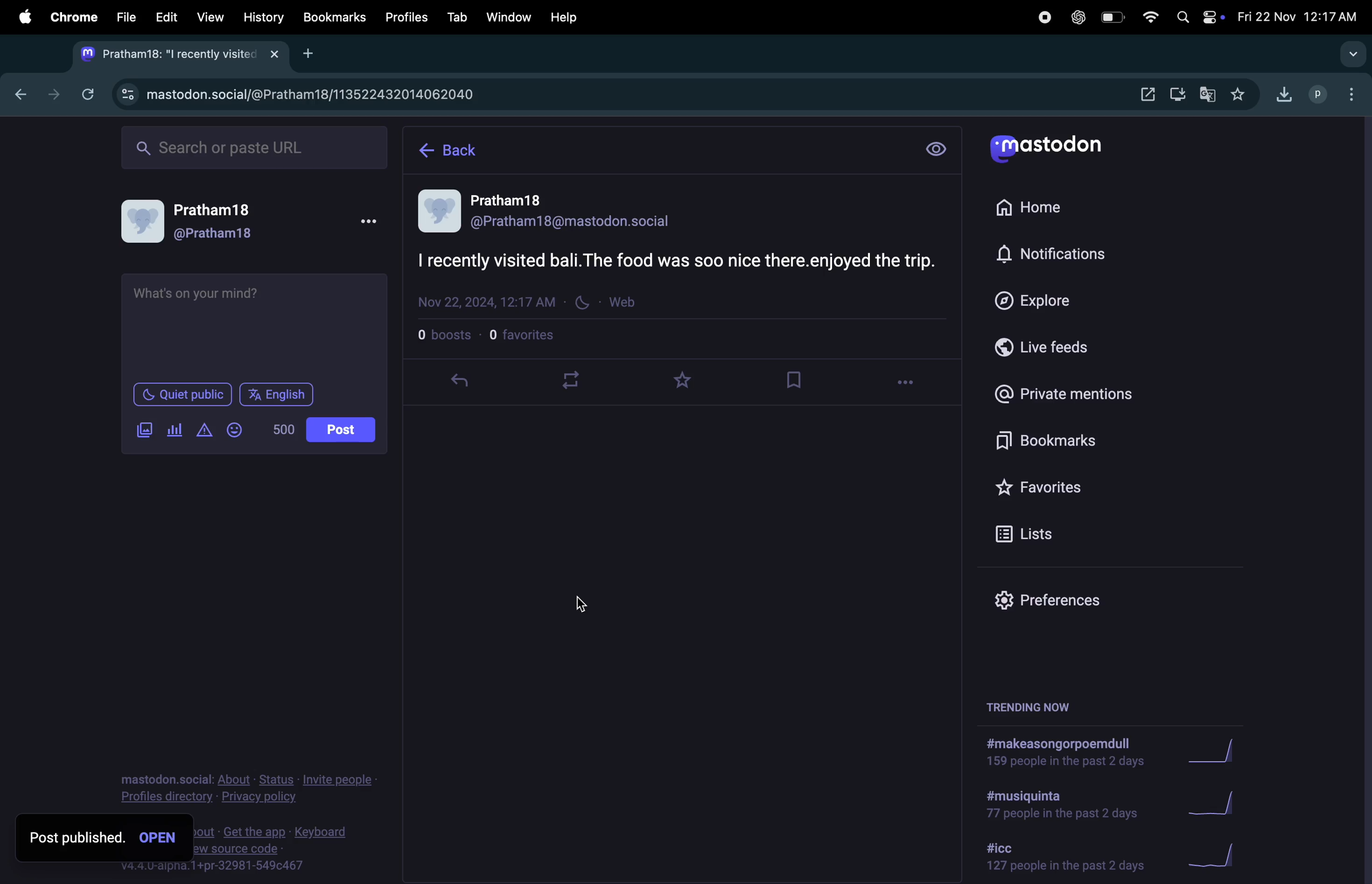 Image resolution: width=1372 pixels, height=884 pixels. Describe the element at coordinates (465, 383) in the screenshot. I see `reply` at that location.